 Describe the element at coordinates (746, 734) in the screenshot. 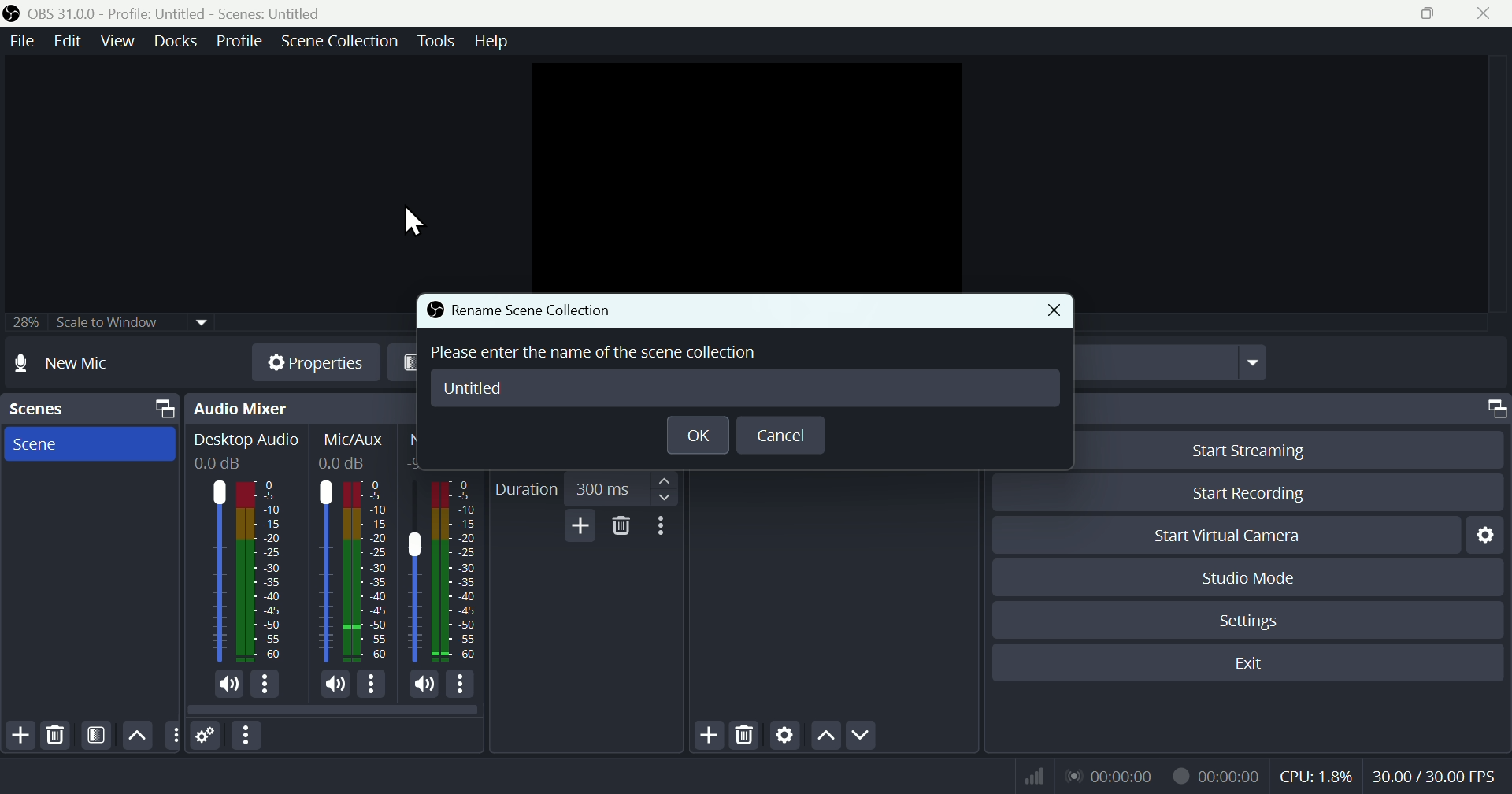

I see `Delete` at that location.